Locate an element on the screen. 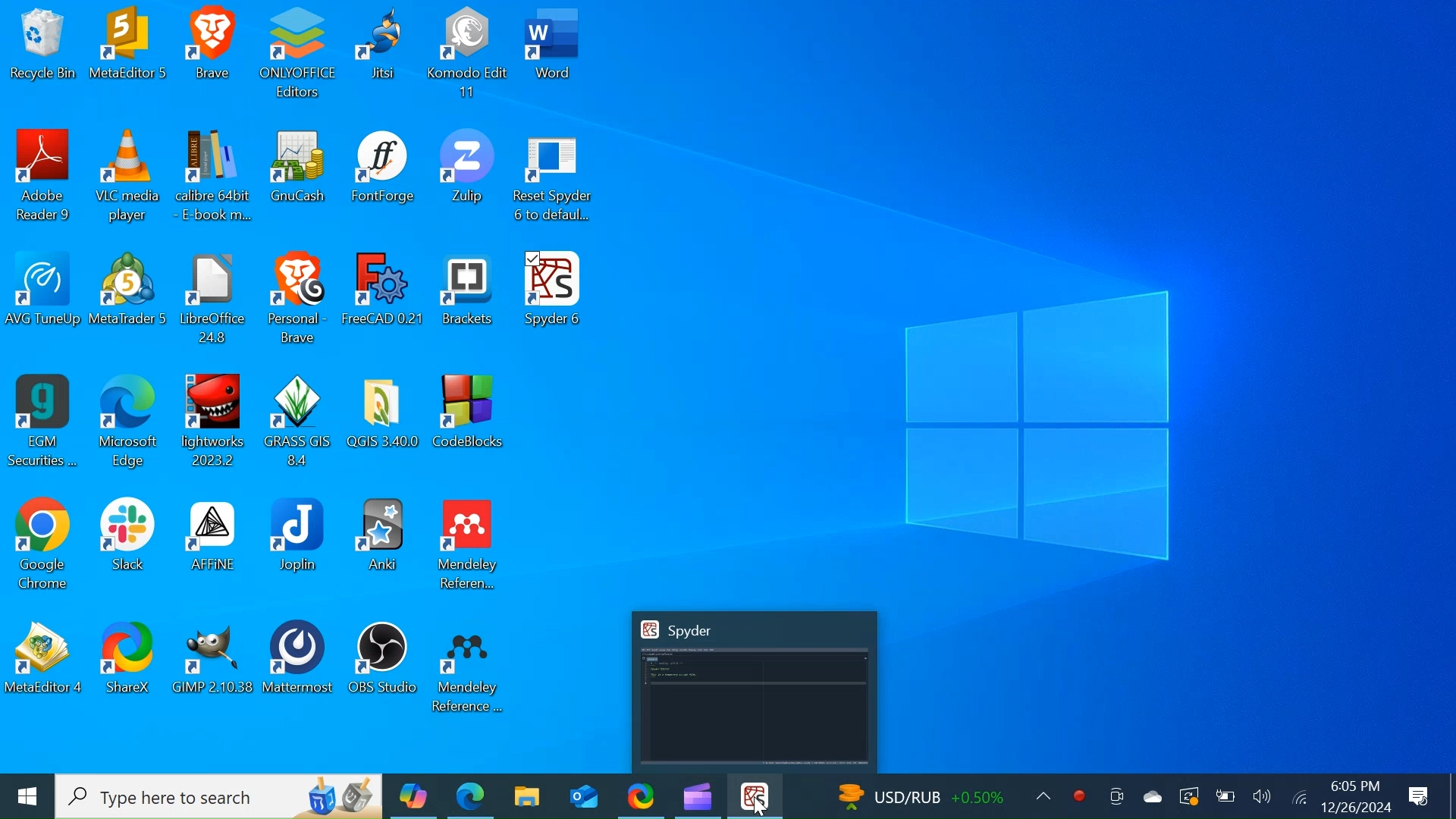 The height and width of the screenshot is (819, 1456). Notifications is located at coordinates (1421, 794).